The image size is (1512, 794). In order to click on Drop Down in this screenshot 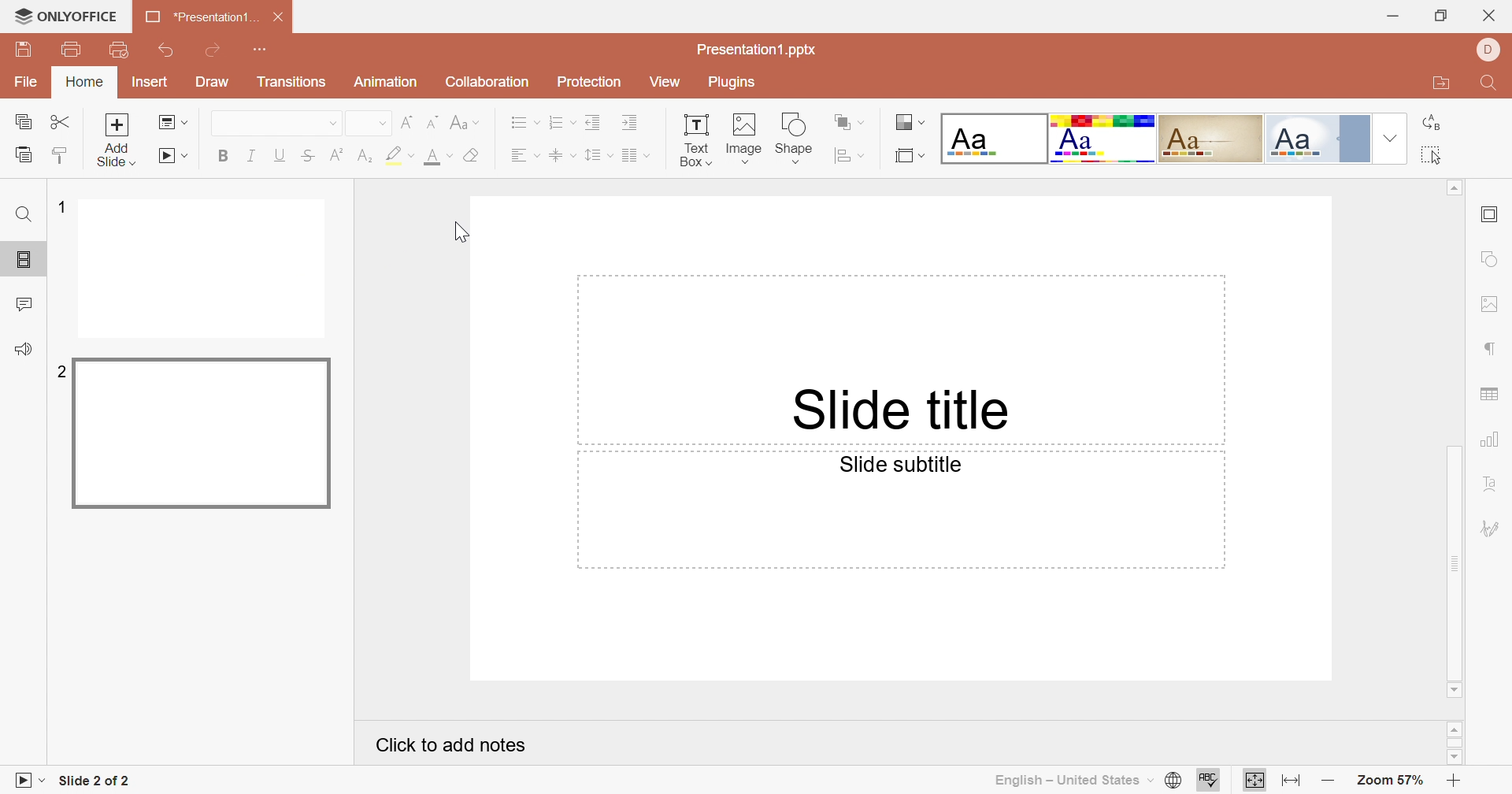, I will do `click(380, 124)`.